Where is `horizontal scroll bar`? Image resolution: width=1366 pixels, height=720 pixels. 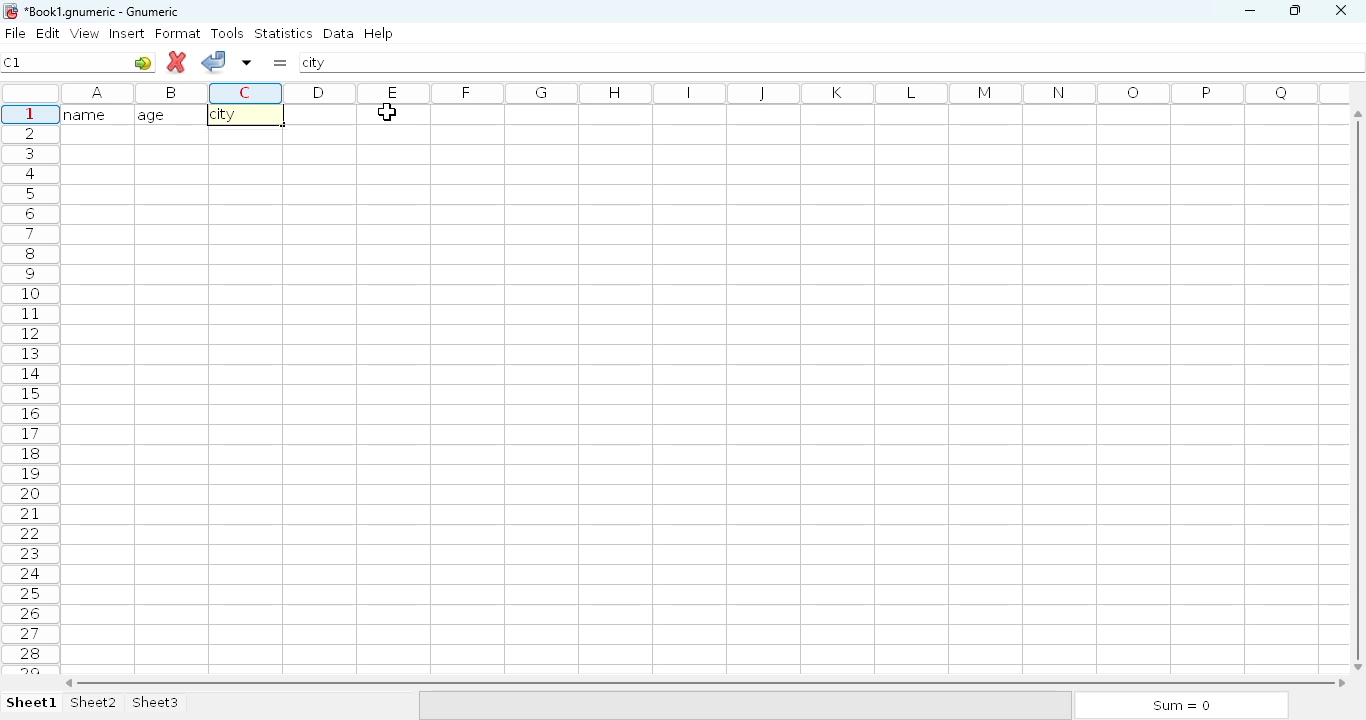
horizontal scroll bar is located at coordinates (705, 683).